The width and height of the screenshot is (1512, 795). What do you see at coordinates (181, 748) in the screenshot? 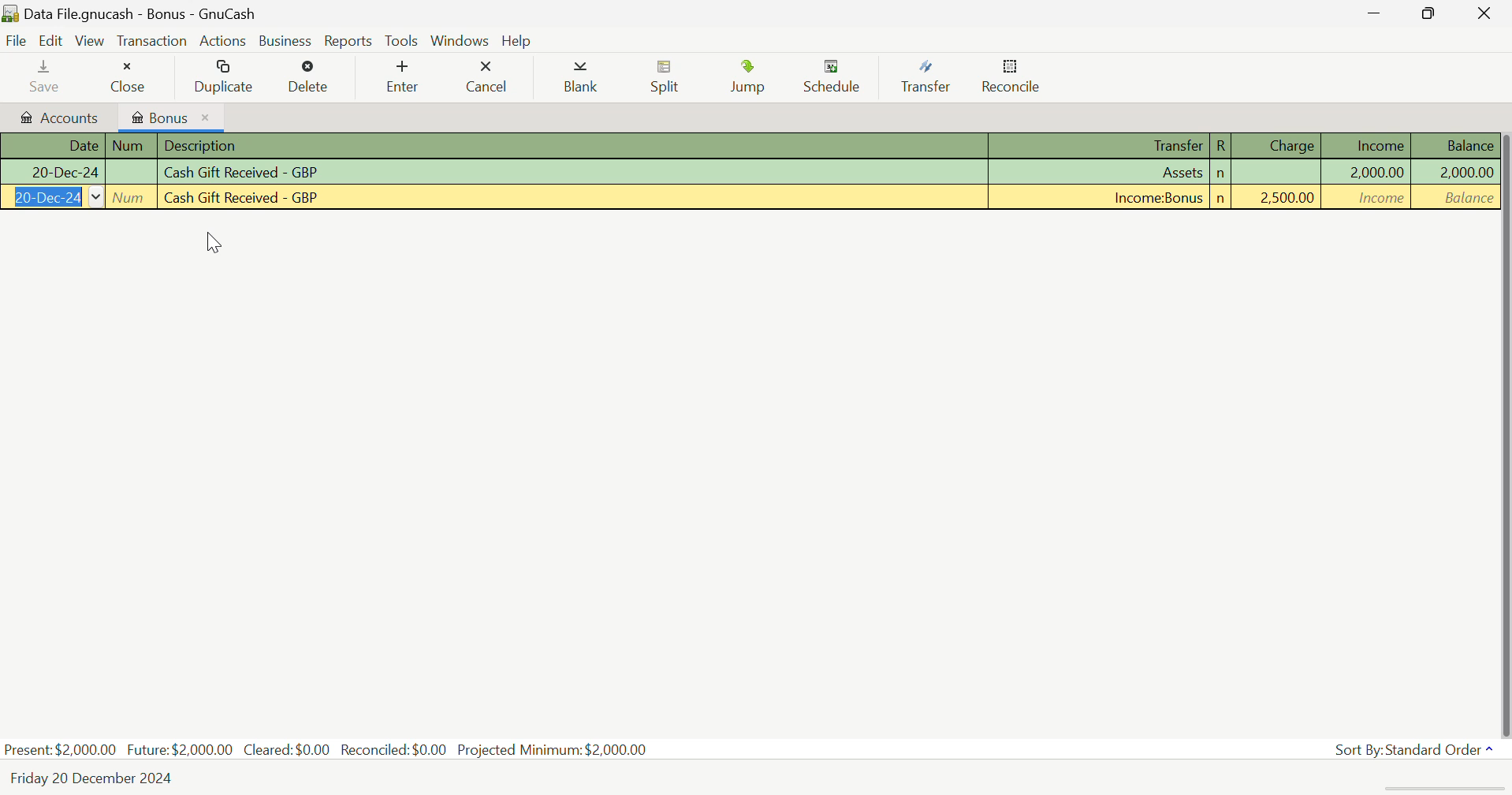
I see `Future` at bounding box center [181, 748].